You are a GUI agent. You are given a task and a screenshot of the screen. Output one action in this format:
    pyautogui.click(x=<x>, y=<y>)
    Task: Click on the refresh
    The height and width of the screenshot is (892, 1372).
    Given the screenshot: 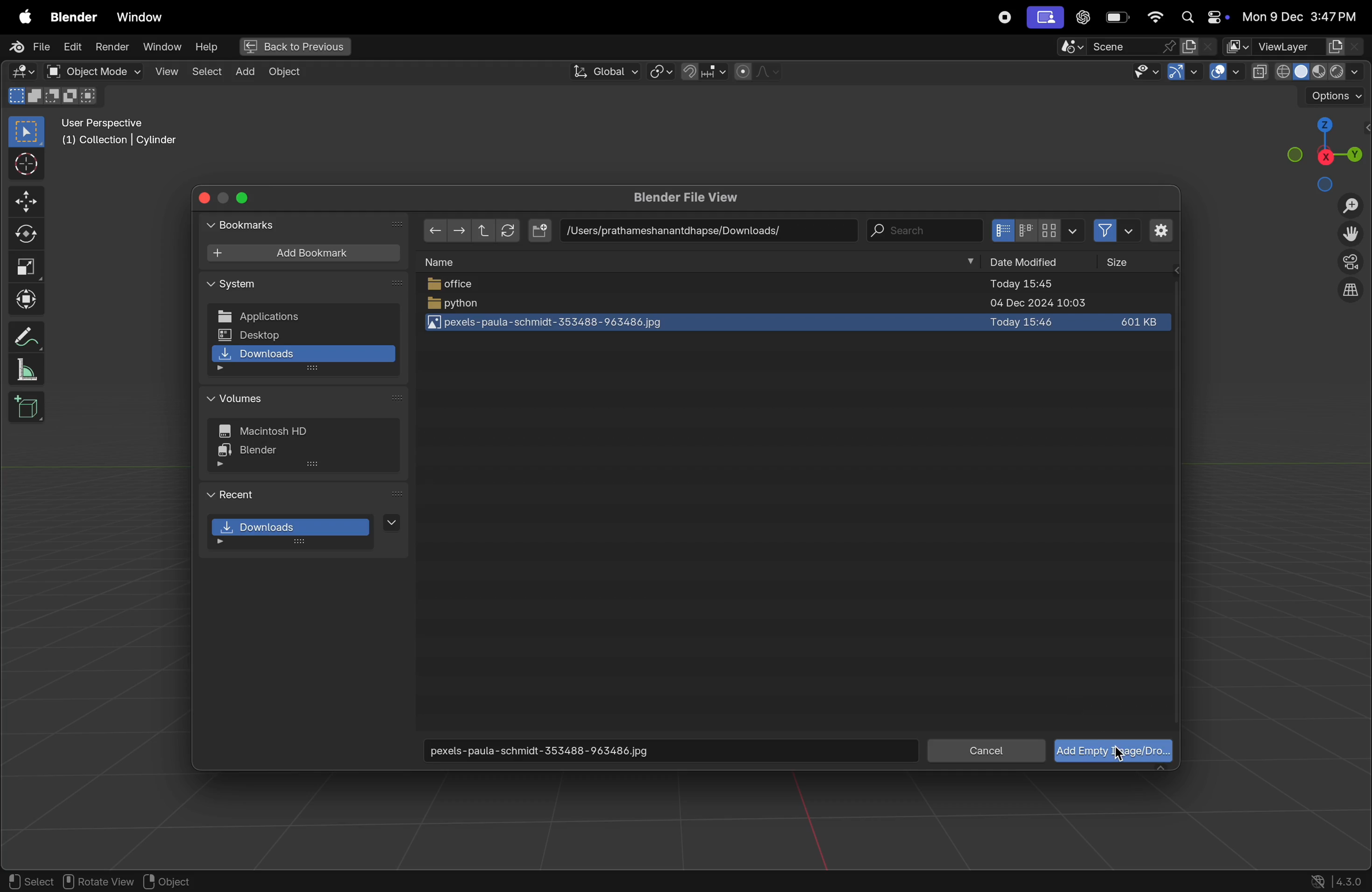 What is the action you would take?
    pyautogui.click(x=510, y=230)
    